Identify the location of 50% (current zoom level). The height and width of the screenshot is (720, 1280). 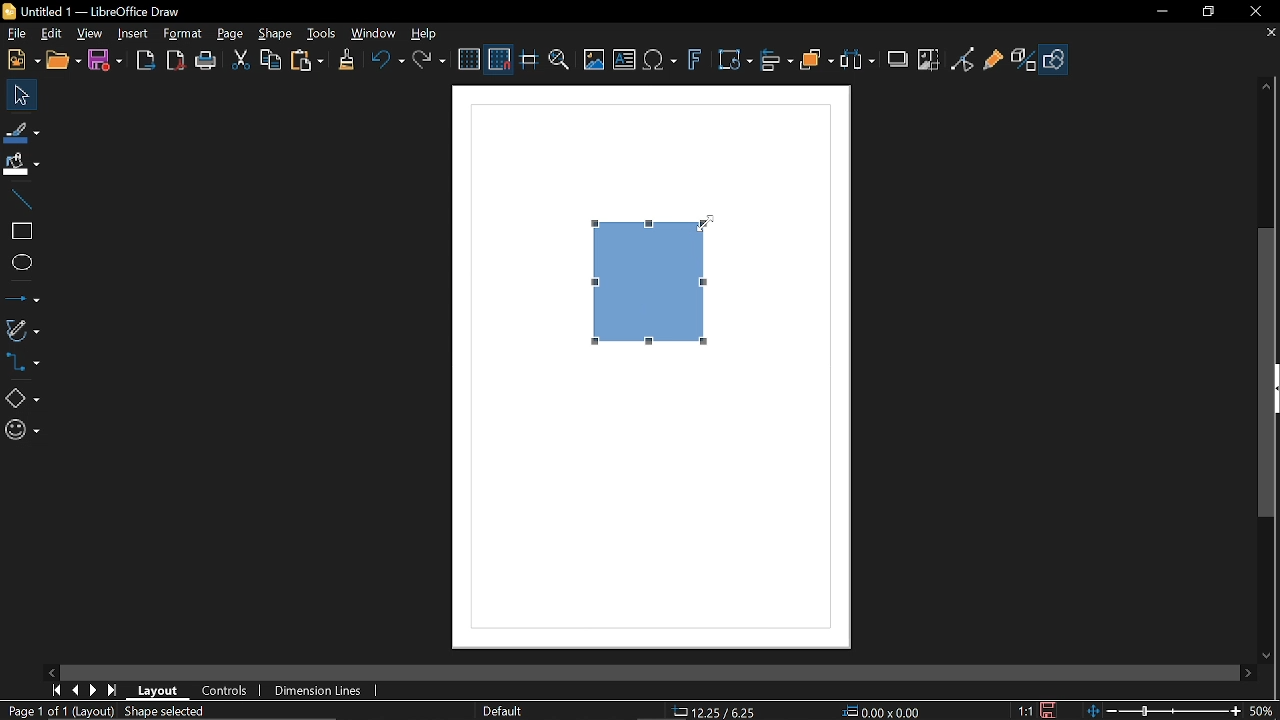
(1265, 709).